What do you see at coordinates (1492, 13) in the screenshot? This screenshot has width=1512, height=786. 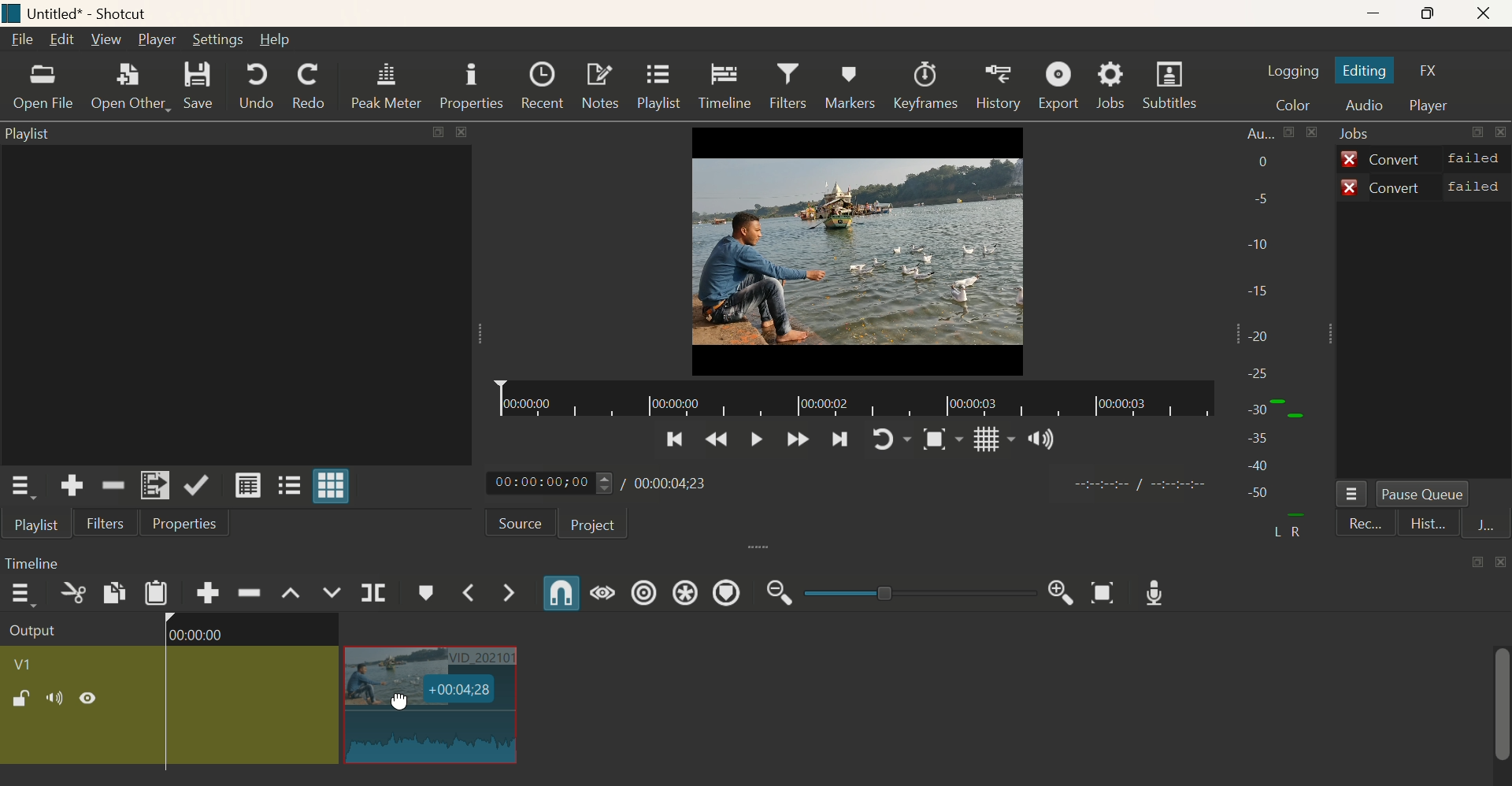 I see `Close` at bounding box center [1492, 13].